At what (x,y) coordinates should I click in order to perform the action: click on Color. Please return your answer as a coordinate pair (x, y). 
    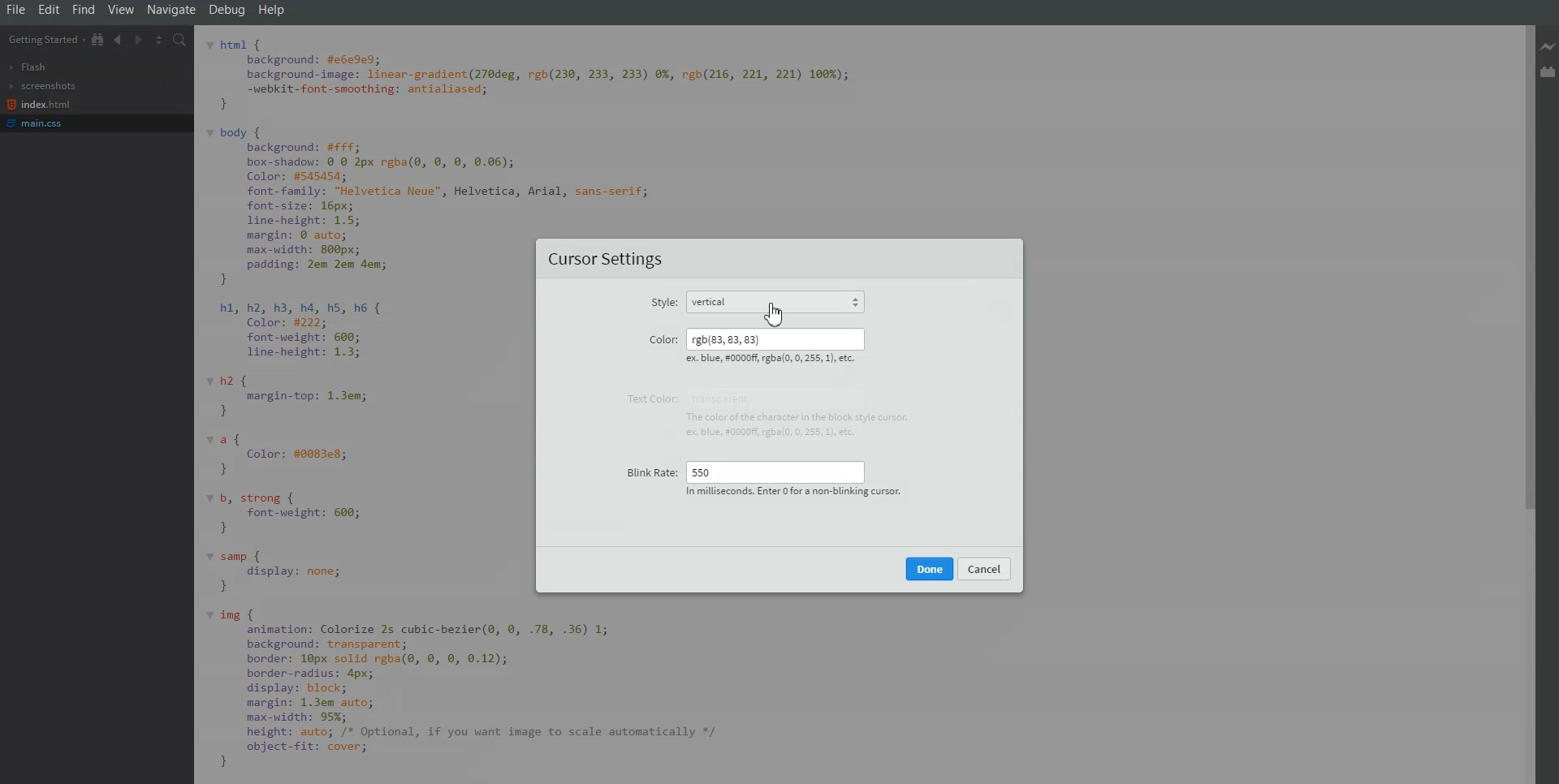
    Looking at the image, I should click on (662, 338).